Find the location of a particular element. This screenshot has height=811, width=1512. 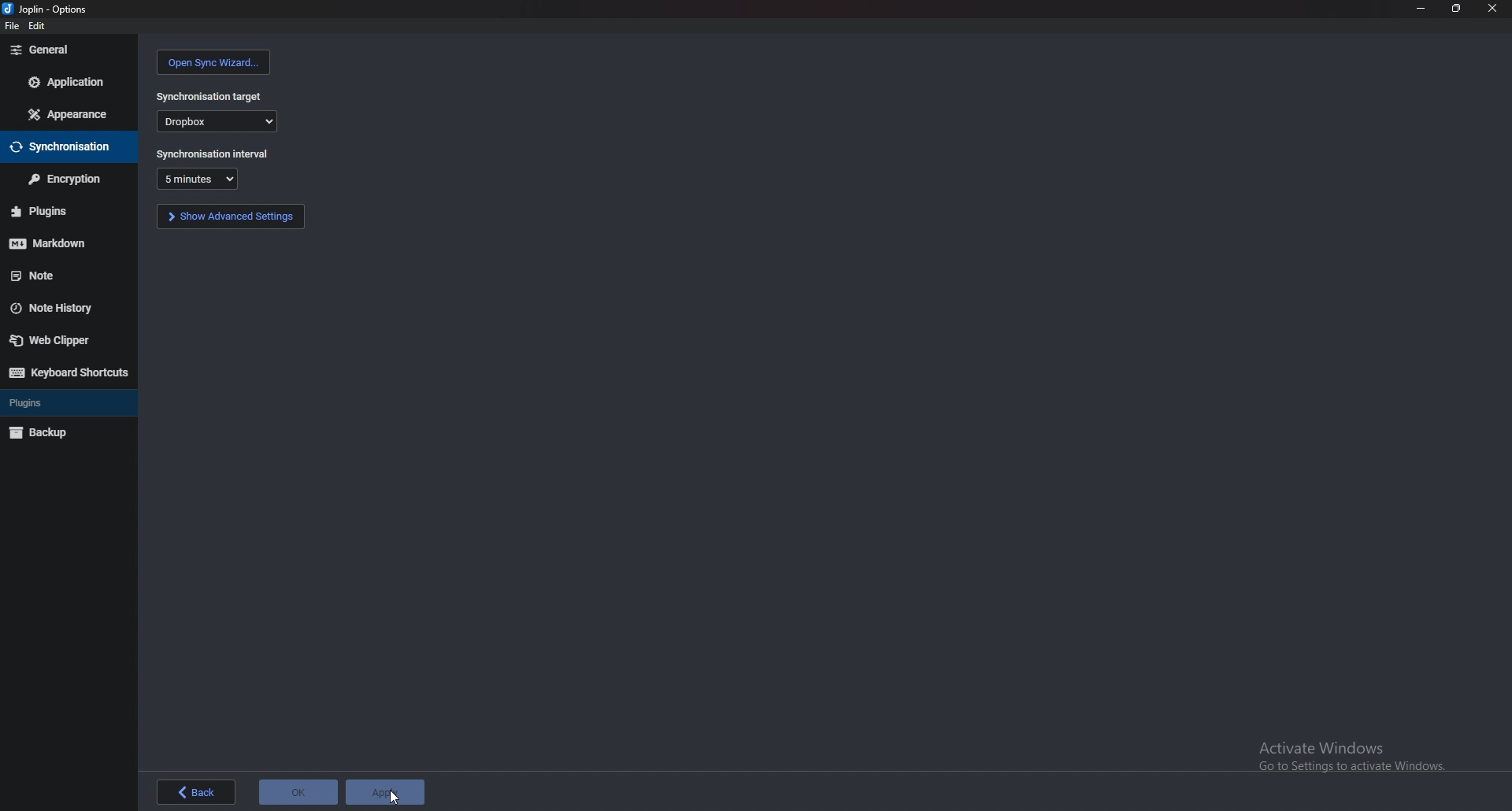

resize is located at coordinates (1458, 9).